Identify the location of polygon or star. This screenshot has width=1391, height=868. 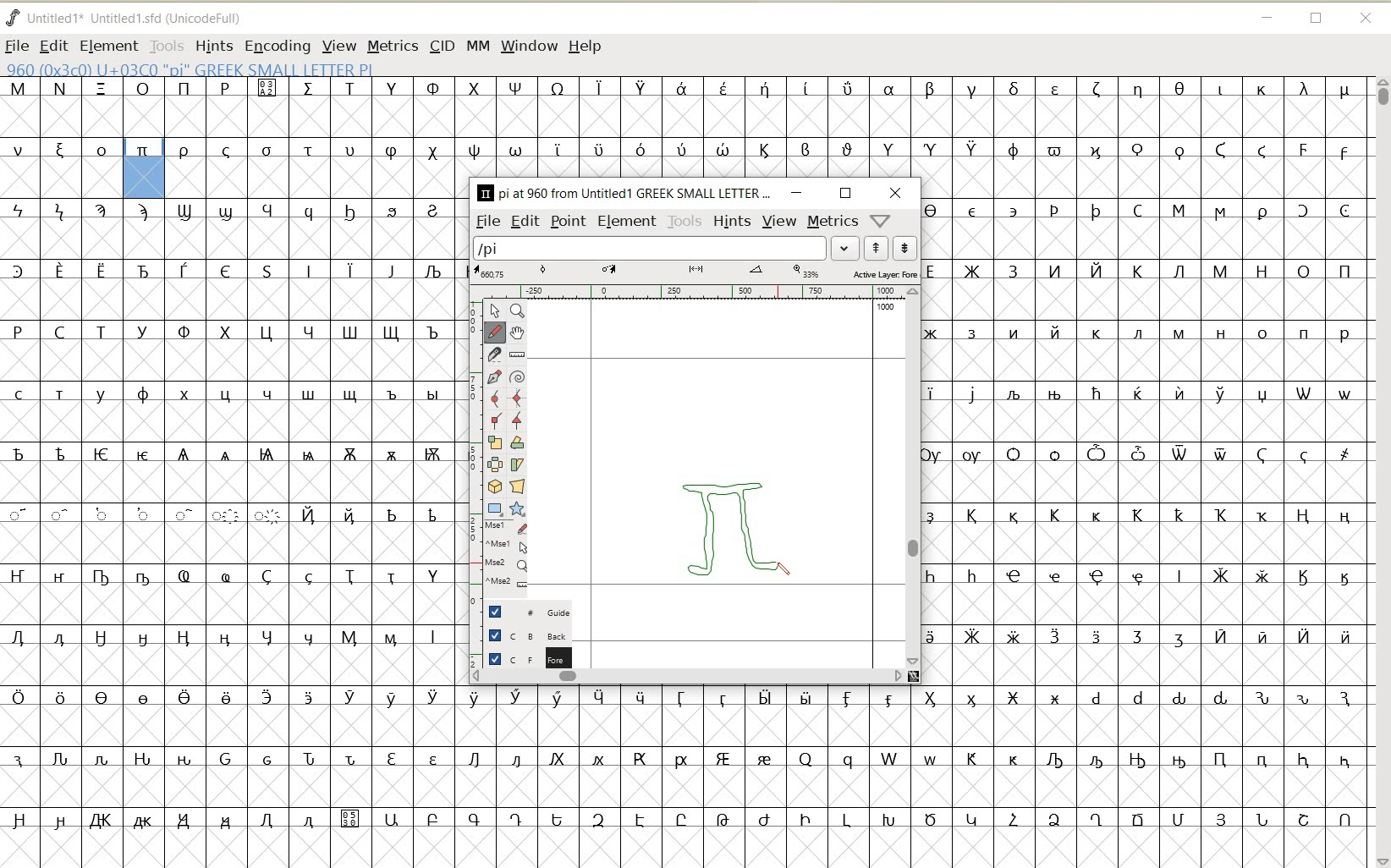
(516, 509).